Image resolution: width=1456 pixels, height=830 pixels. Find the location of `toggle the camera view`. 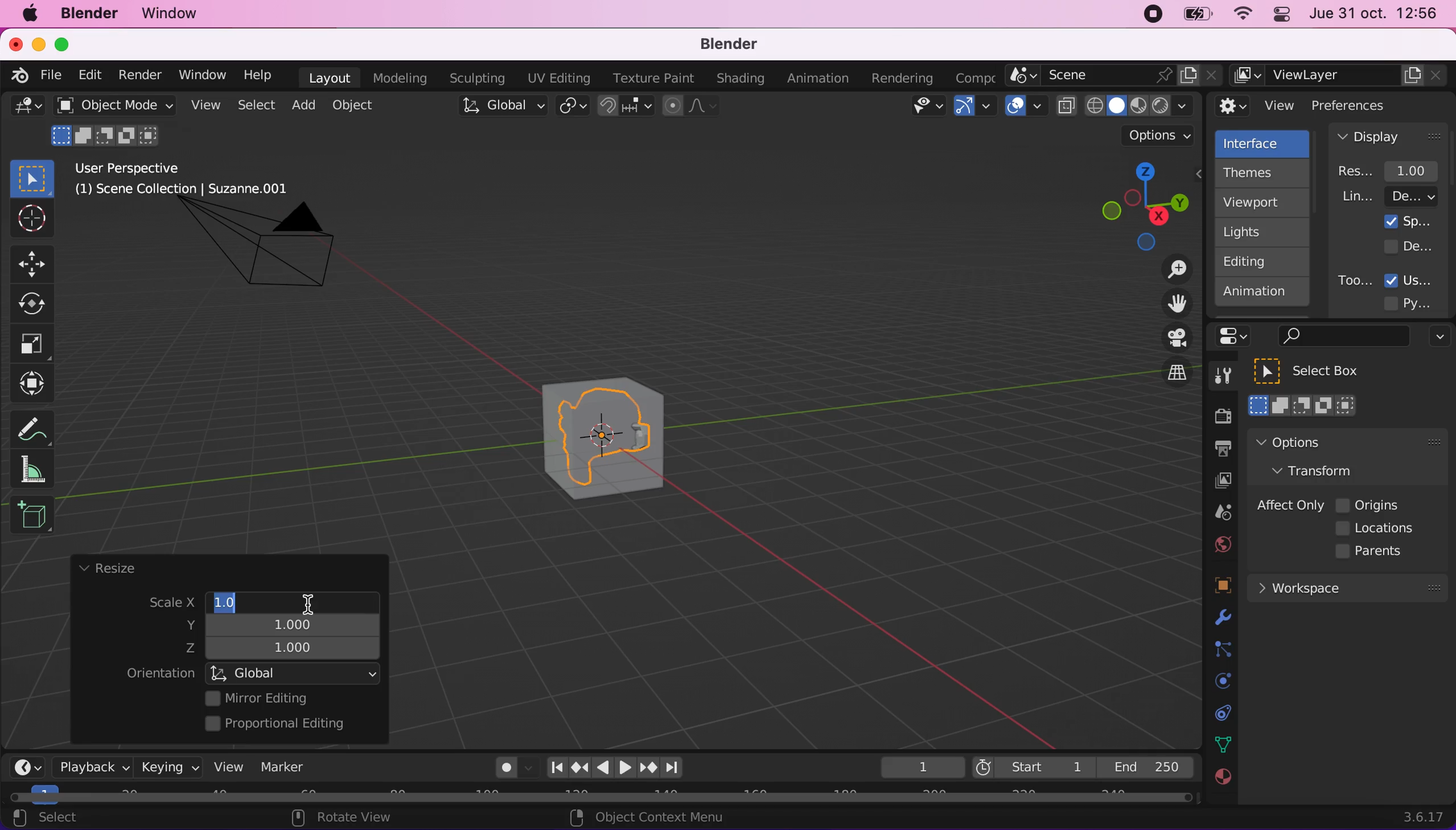

toggle the camera view is located at coordinates (1169, 339).